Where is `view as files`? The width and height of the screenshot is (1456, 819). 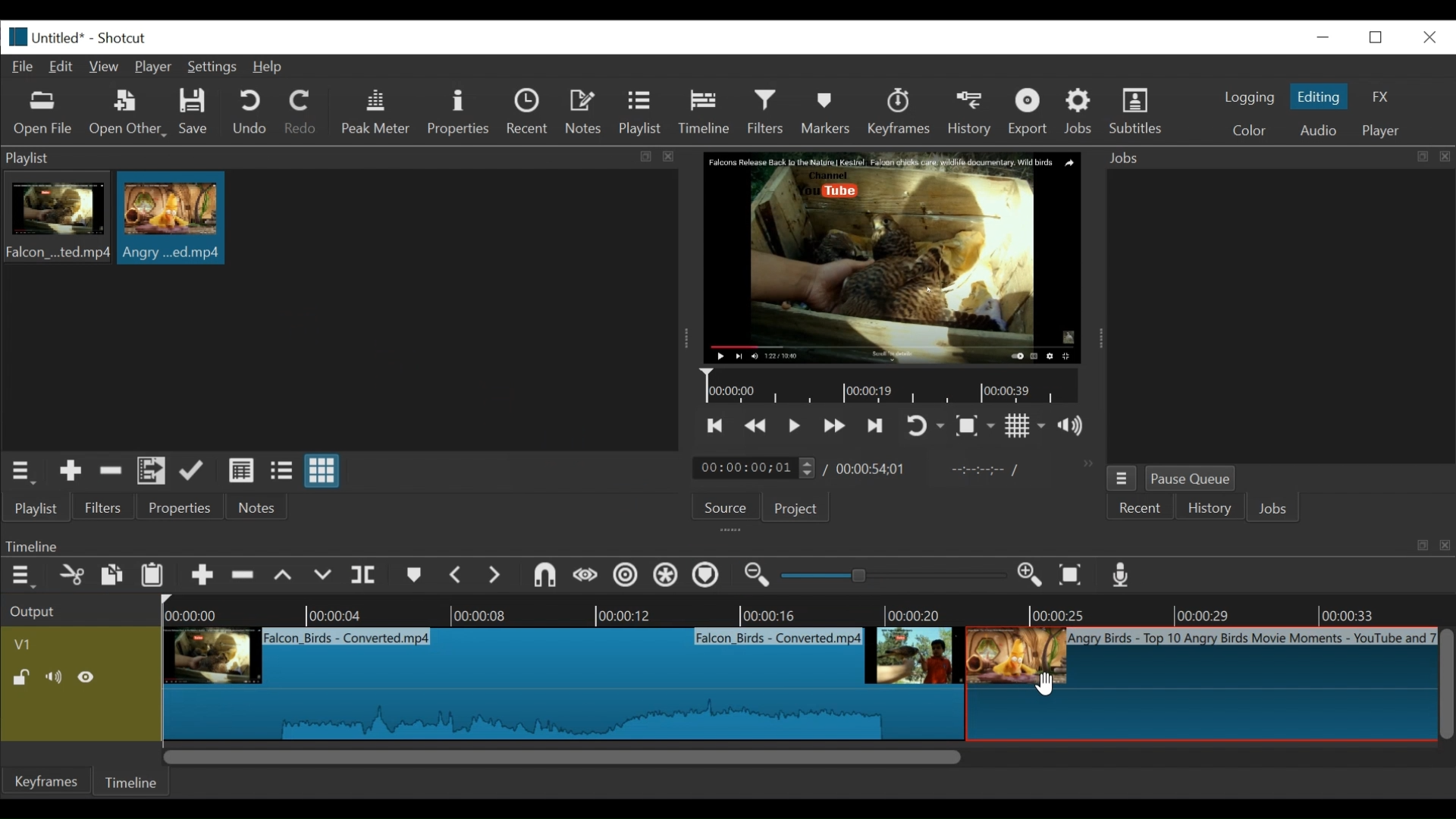
view as files is located at coordinates (283, 470).